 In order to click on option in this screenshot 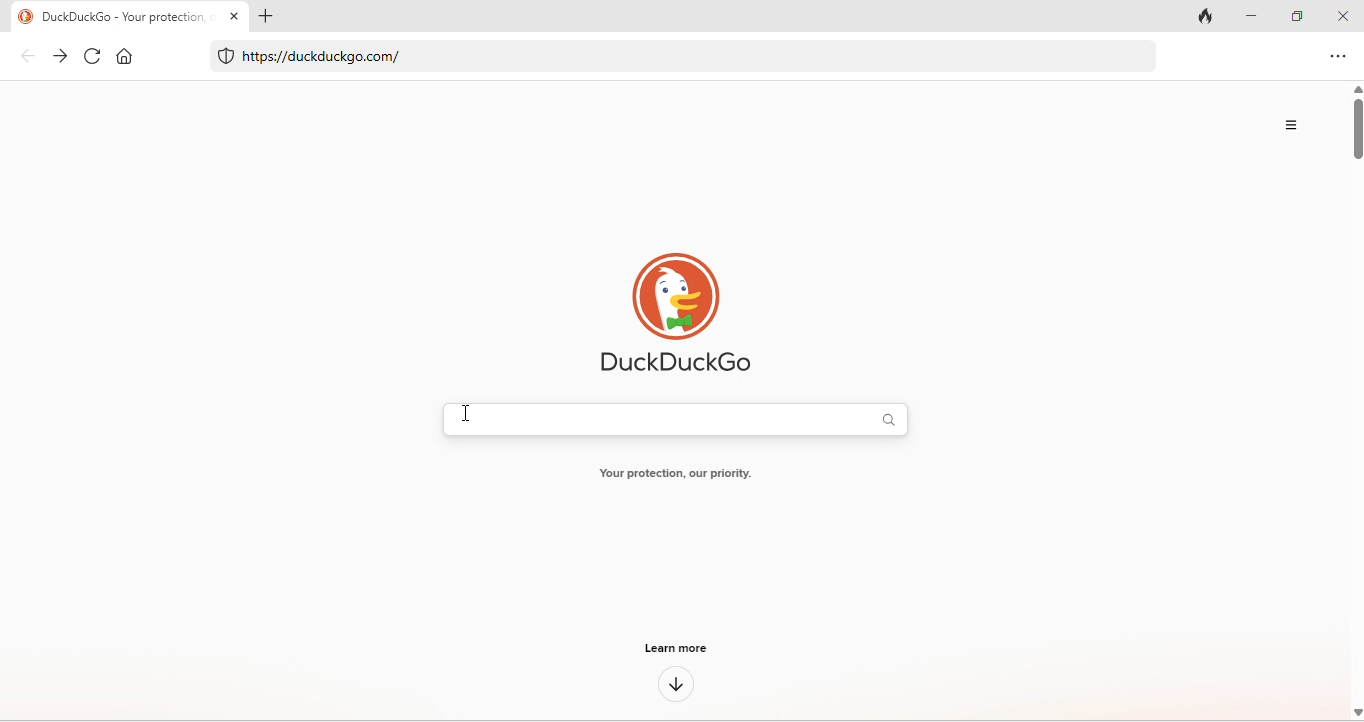, I will do `click(1335, 58)`.